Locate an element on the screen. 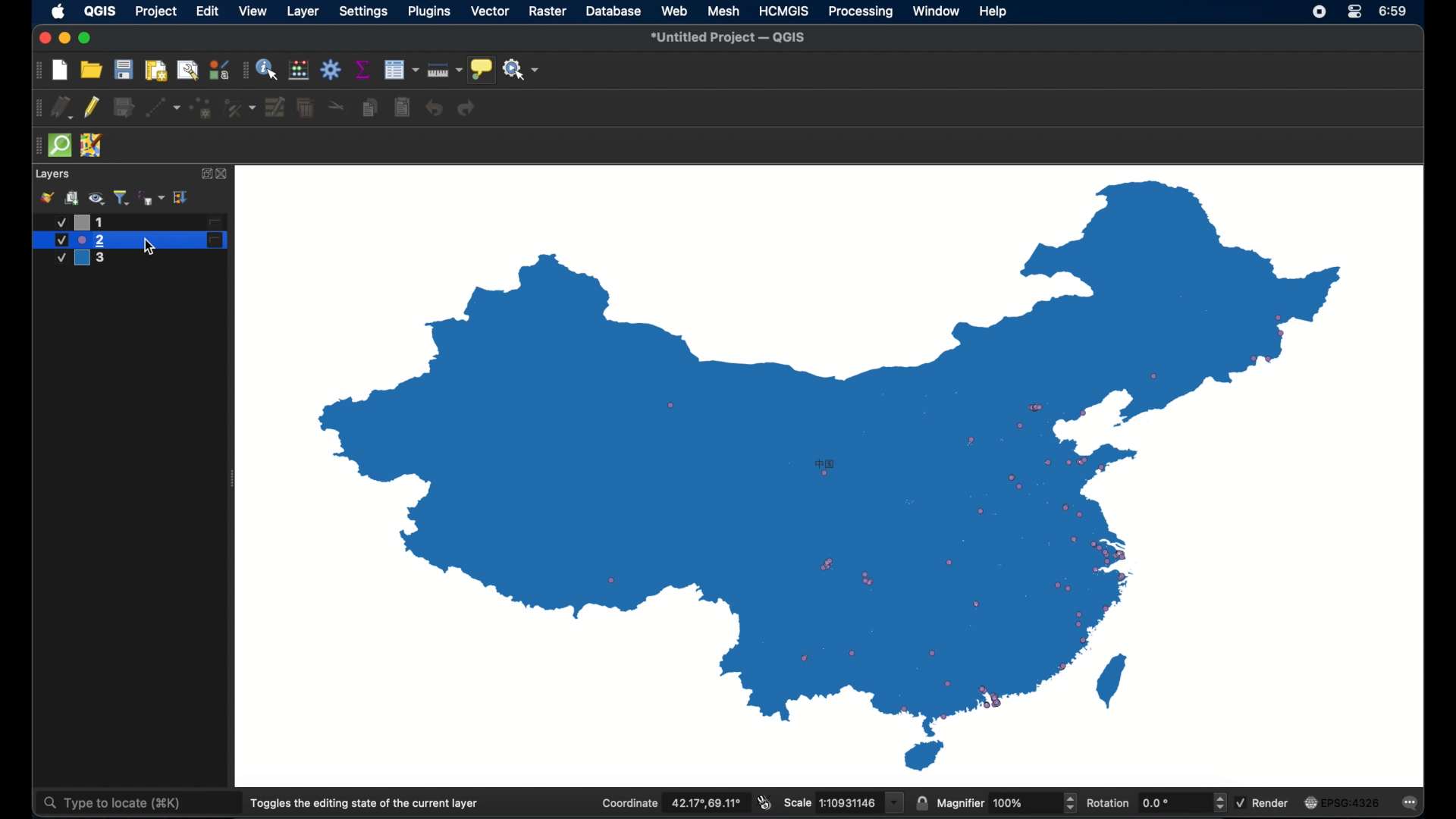  jsom remote is located at coordinates (92, 145).